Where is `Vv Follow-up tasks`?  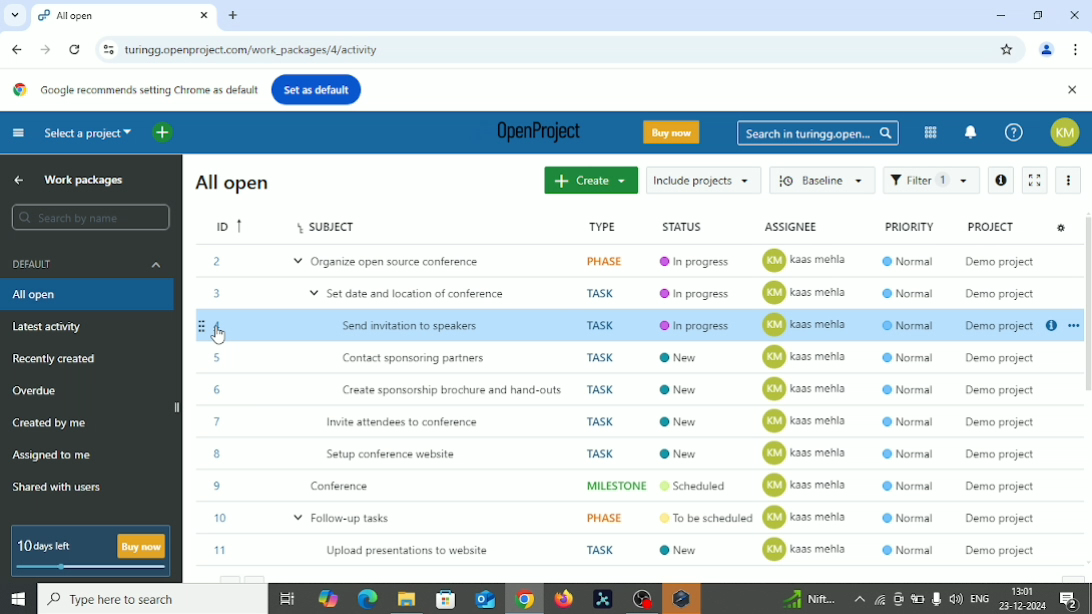 Vv Follow-up tasks is located at coordinates (635, 518).